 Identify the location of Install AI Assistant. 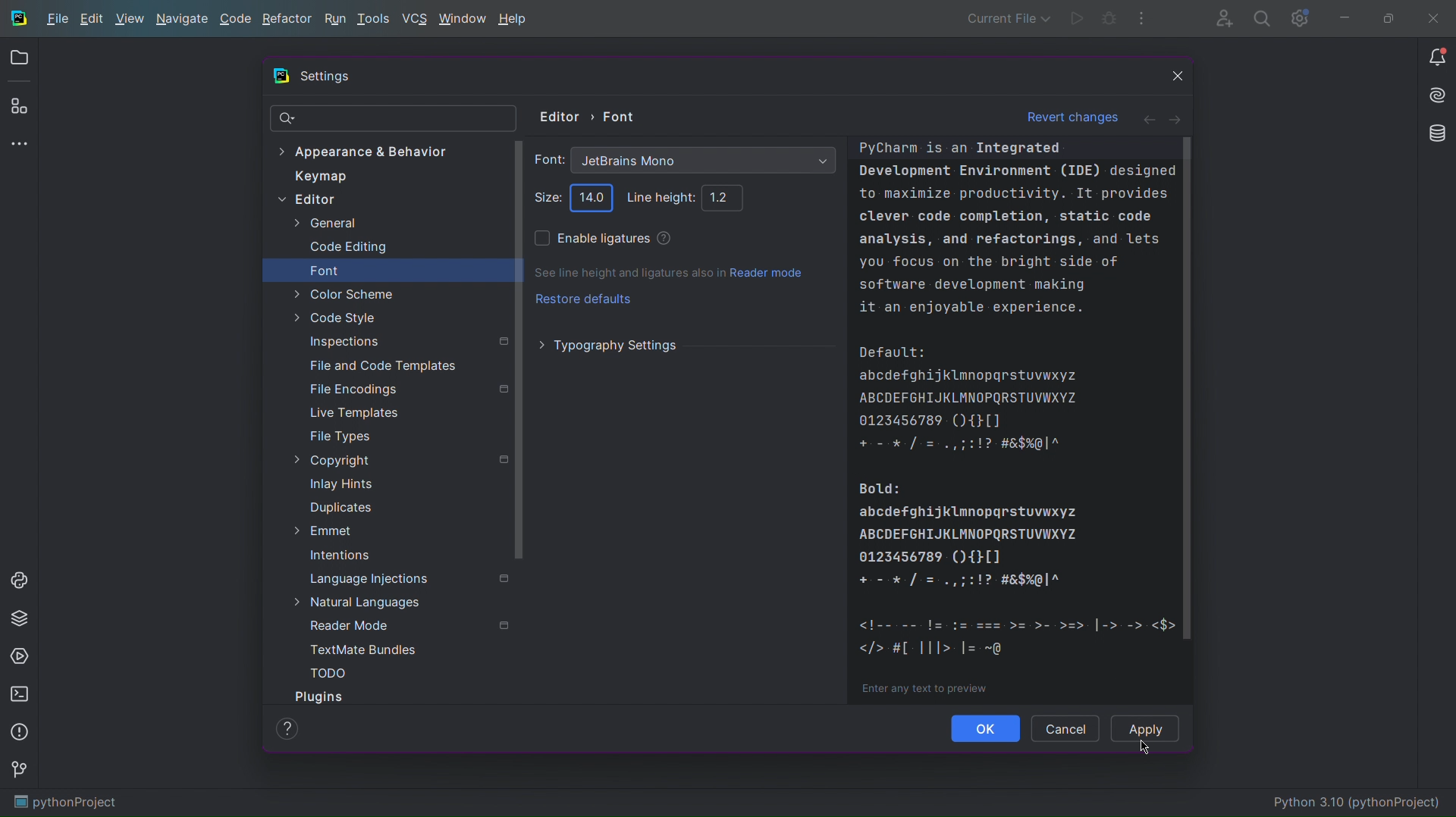
(1432, 98).